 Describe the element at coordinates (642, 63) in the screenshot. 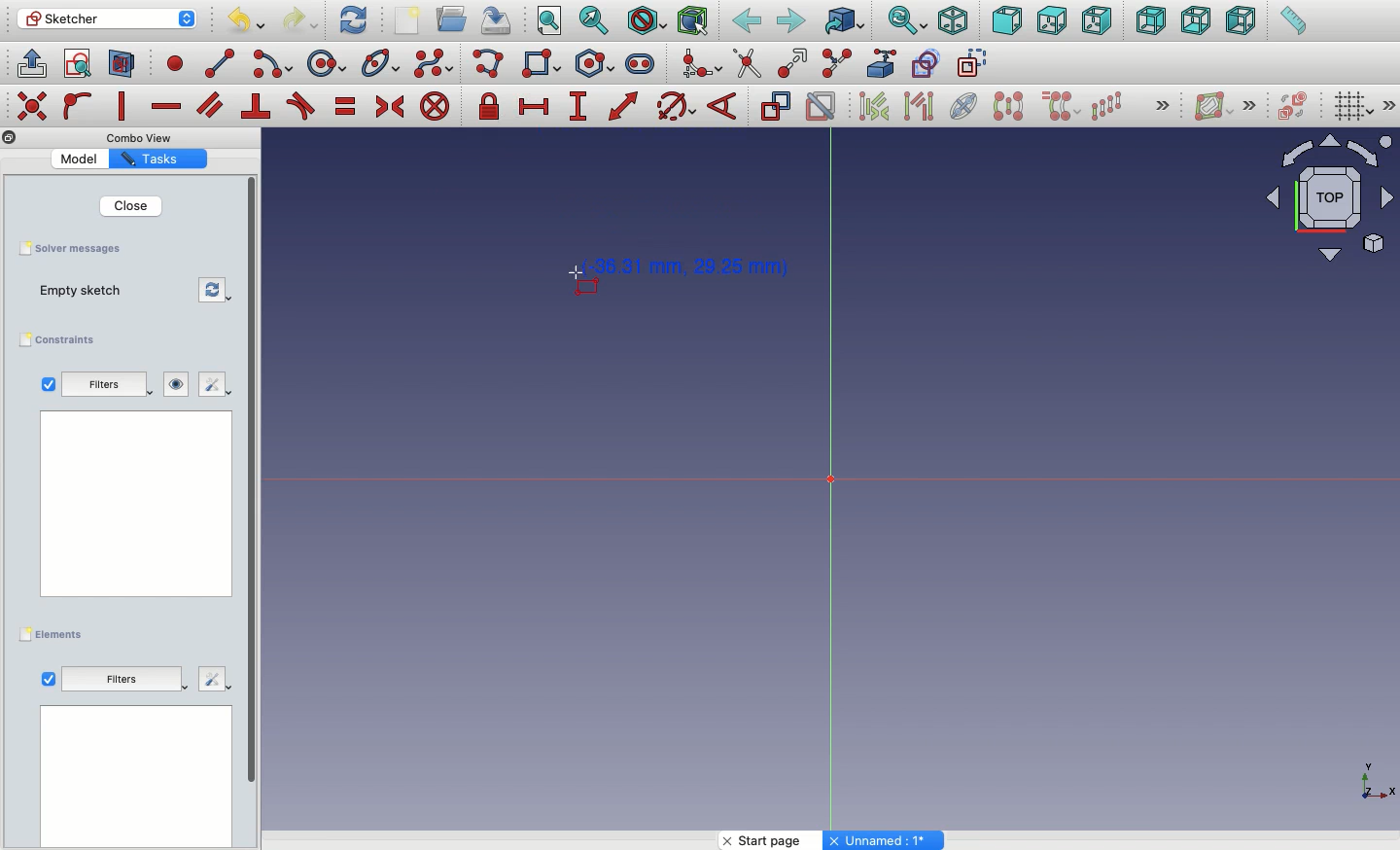

I see `Slot` at that location.